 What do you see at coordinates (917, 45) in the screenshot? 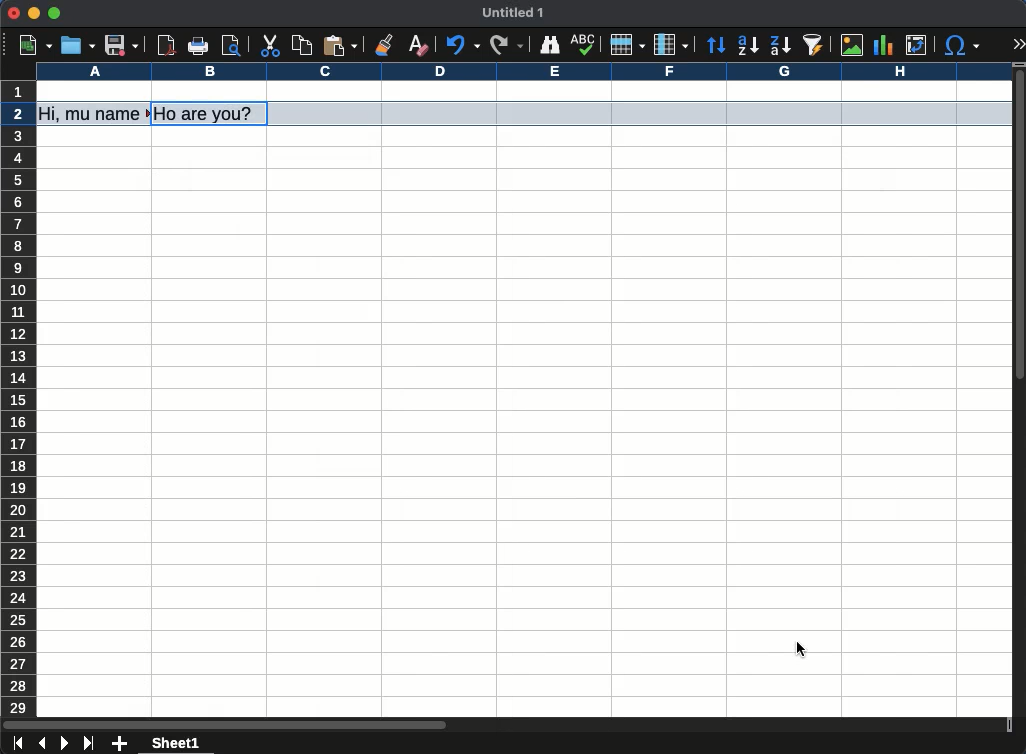
I see `pivot table` at bounding box center [917, 45].